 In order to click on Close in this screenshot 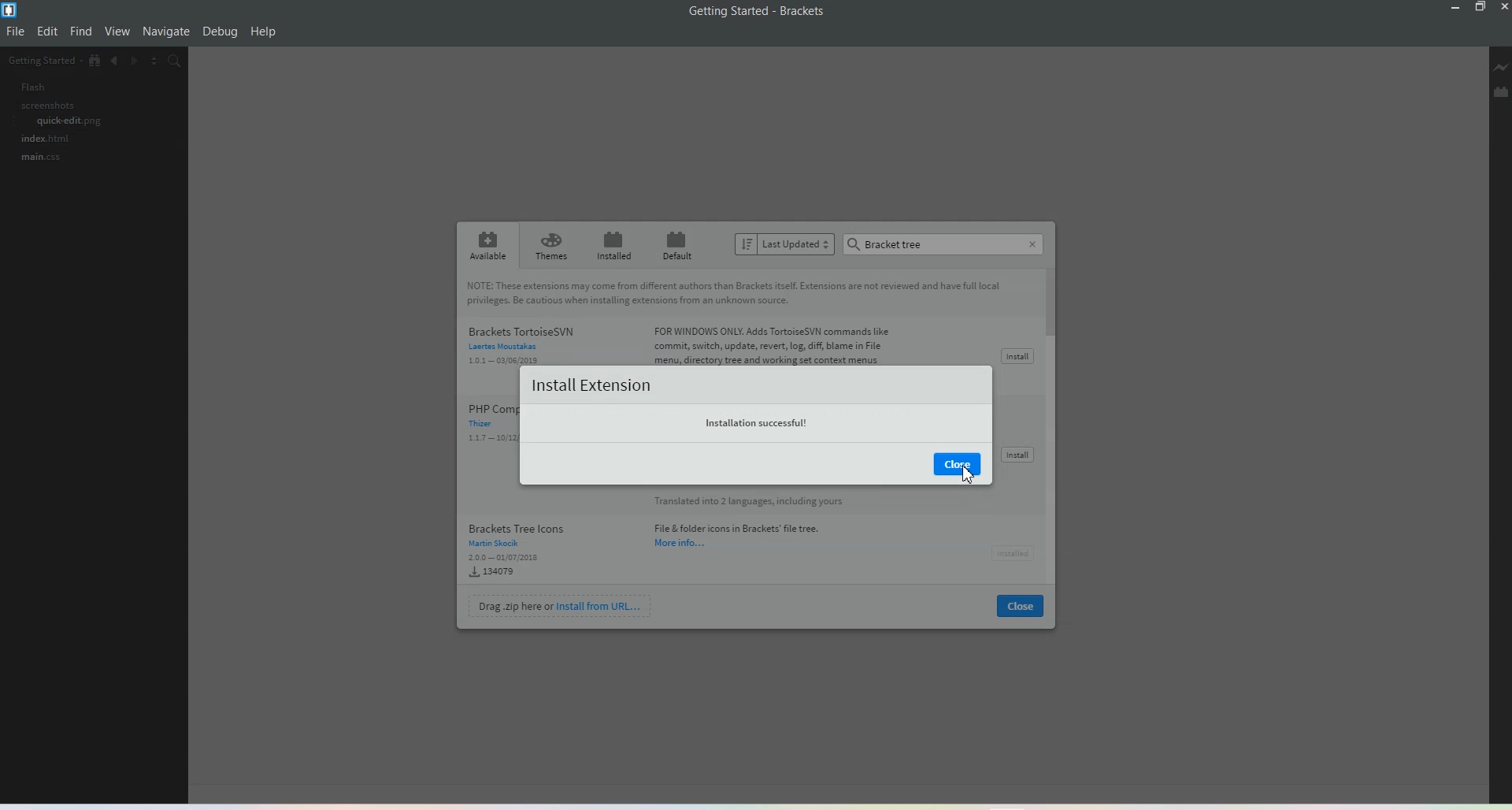, I will do `click(956, 463)`.